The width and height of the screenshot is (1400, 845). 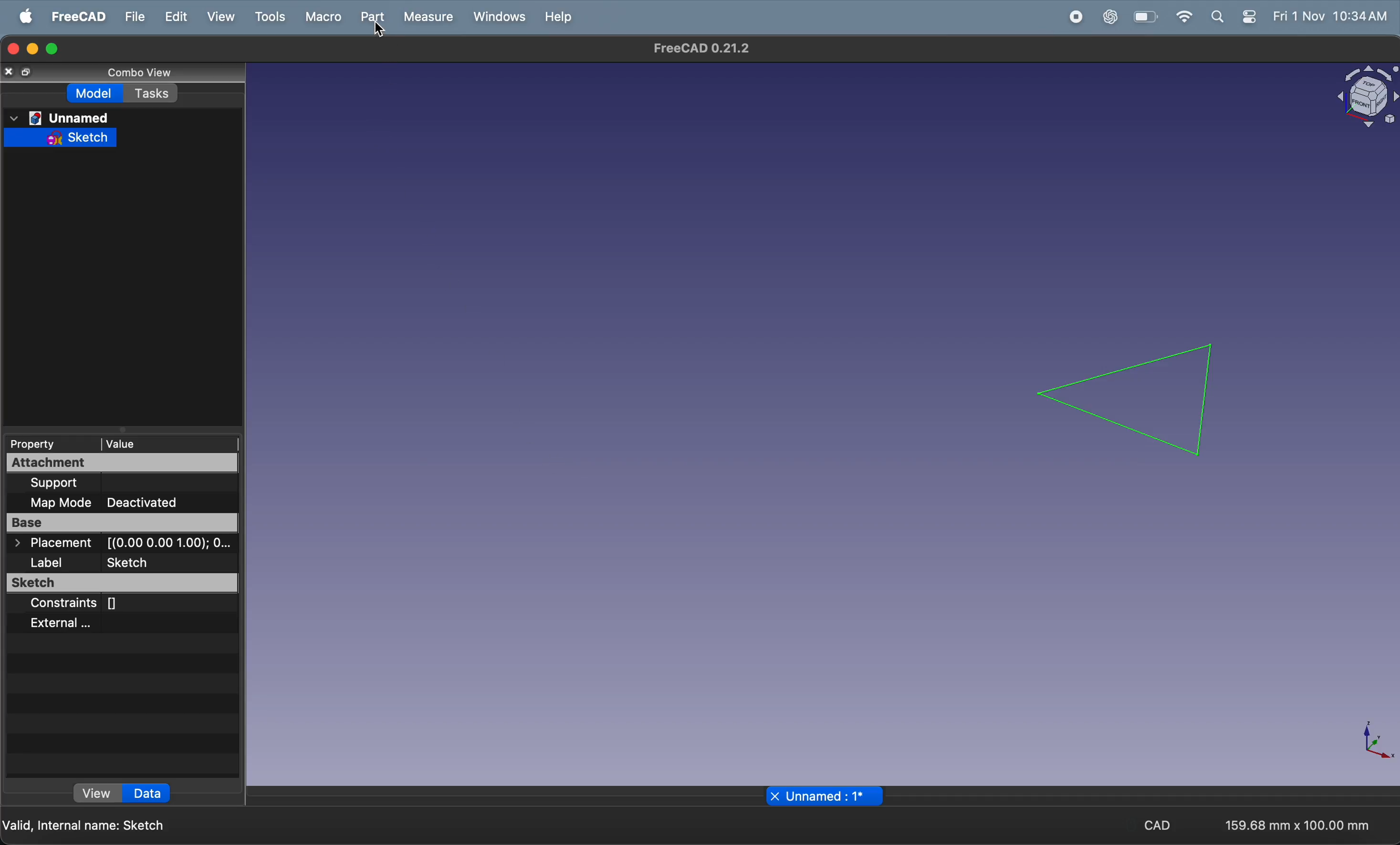 I want to click on cursor, so click(x=382, y=31).